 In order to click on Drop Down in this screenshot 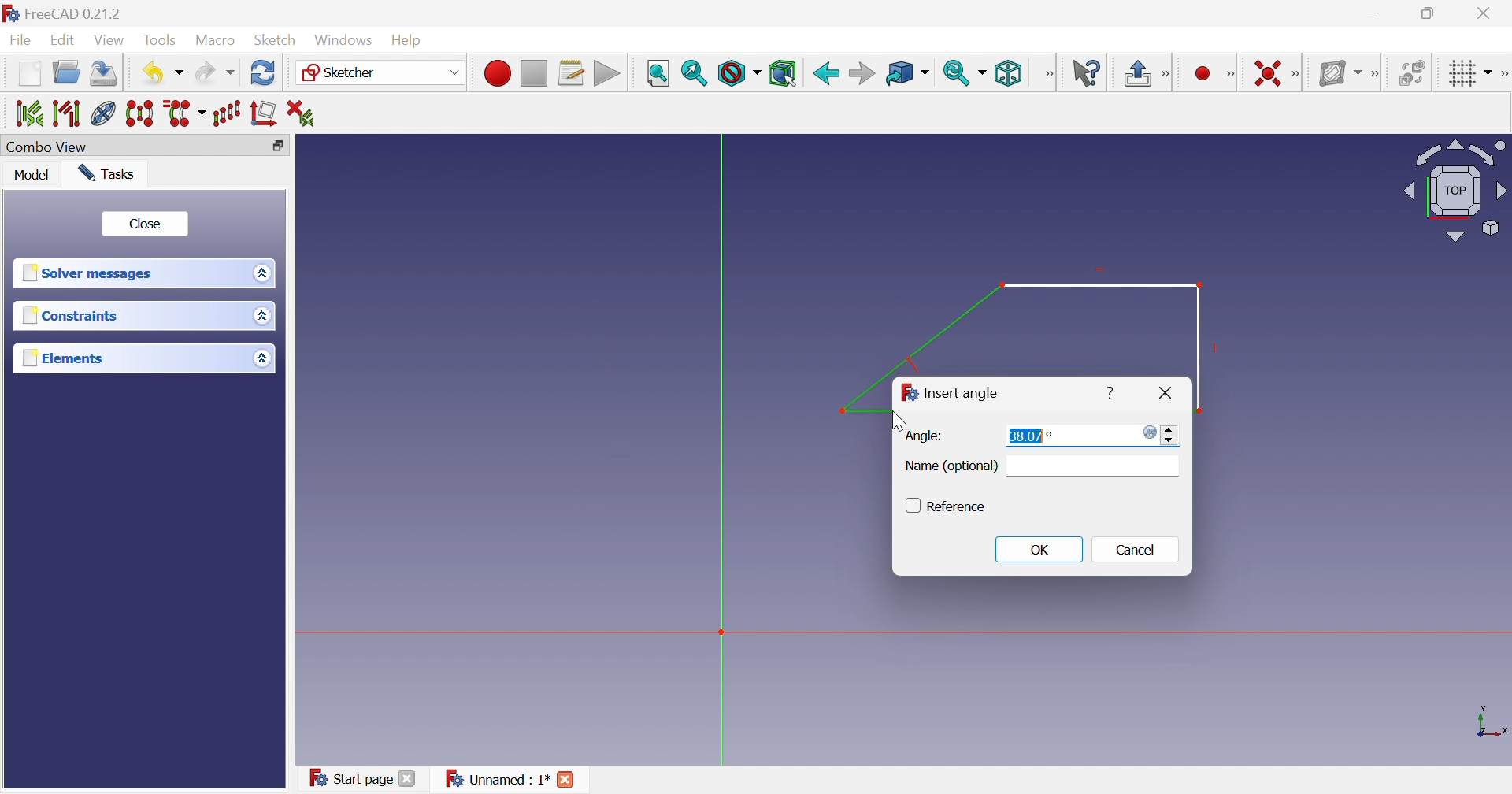, I will do `click(261, 358)`.